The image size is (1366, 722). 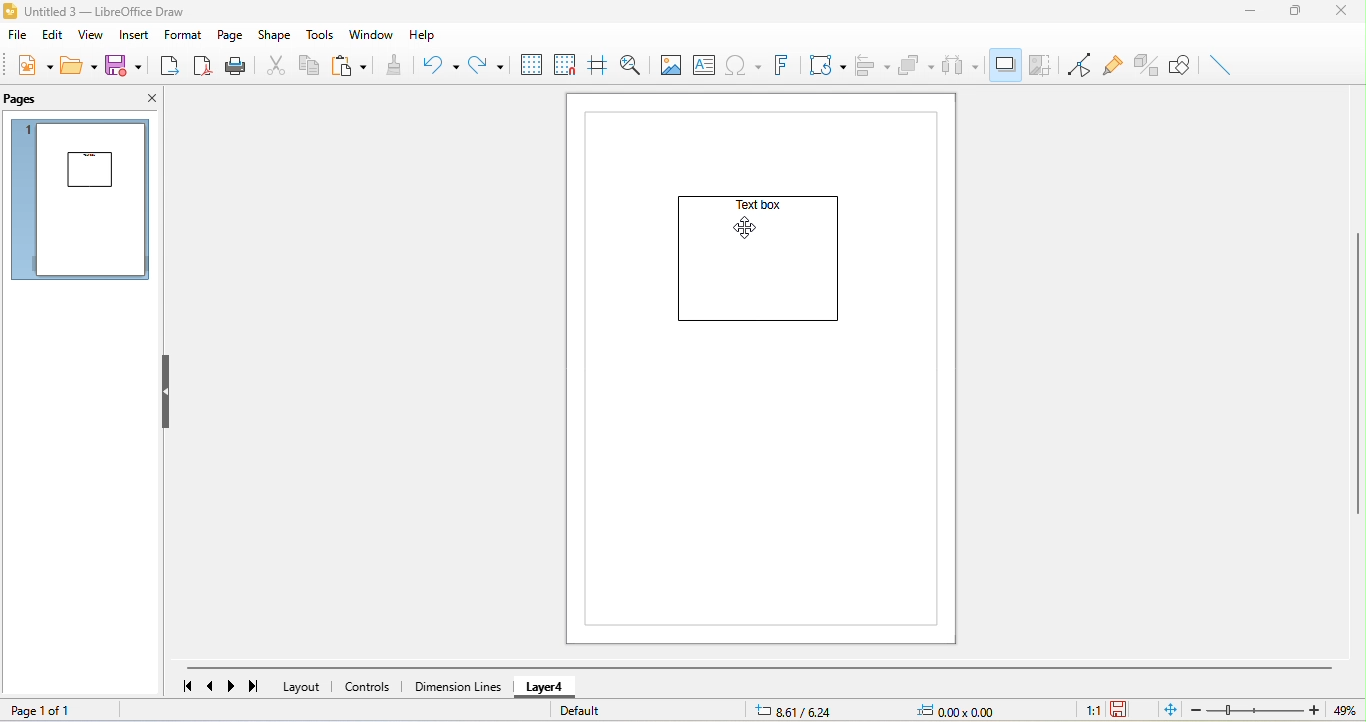 I want to click on toggle extrusion, so click(x=1147, y=62).